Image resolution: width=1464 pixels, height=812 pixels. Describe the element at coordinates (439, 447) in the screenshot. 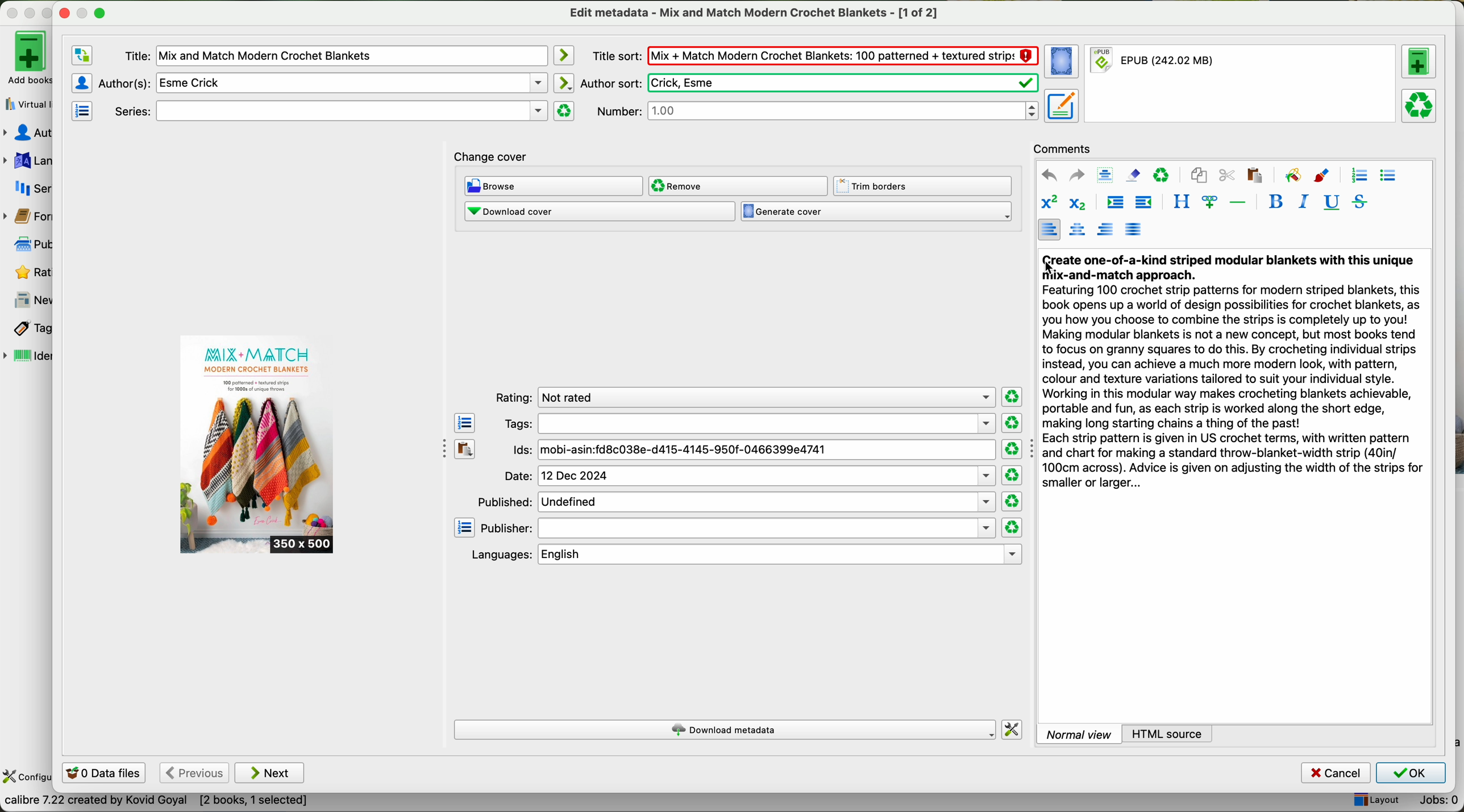

I see `three dots` at that location.